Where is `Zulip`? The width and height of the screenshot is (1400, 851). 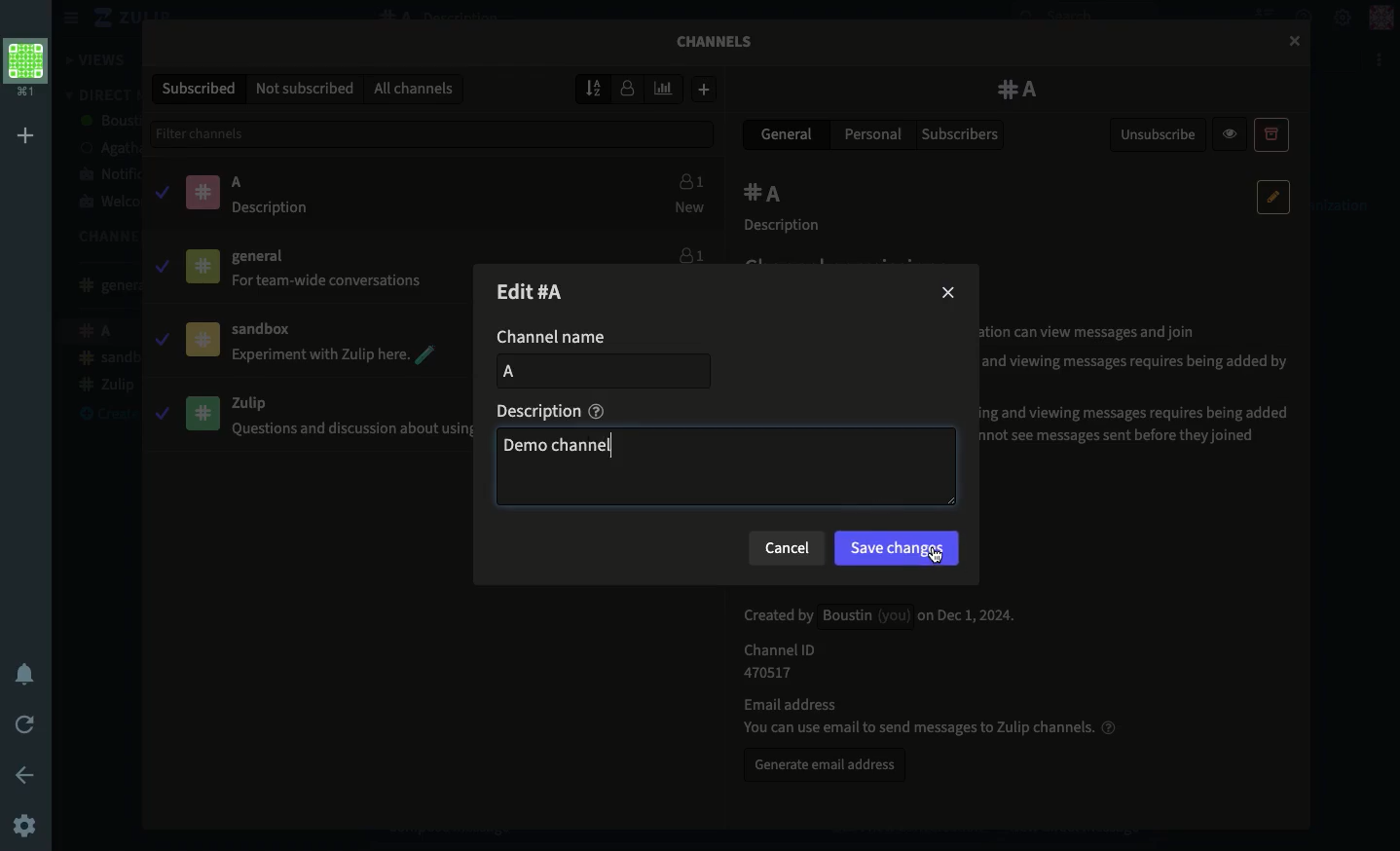
Zulip is located at coordinates (105, 386).